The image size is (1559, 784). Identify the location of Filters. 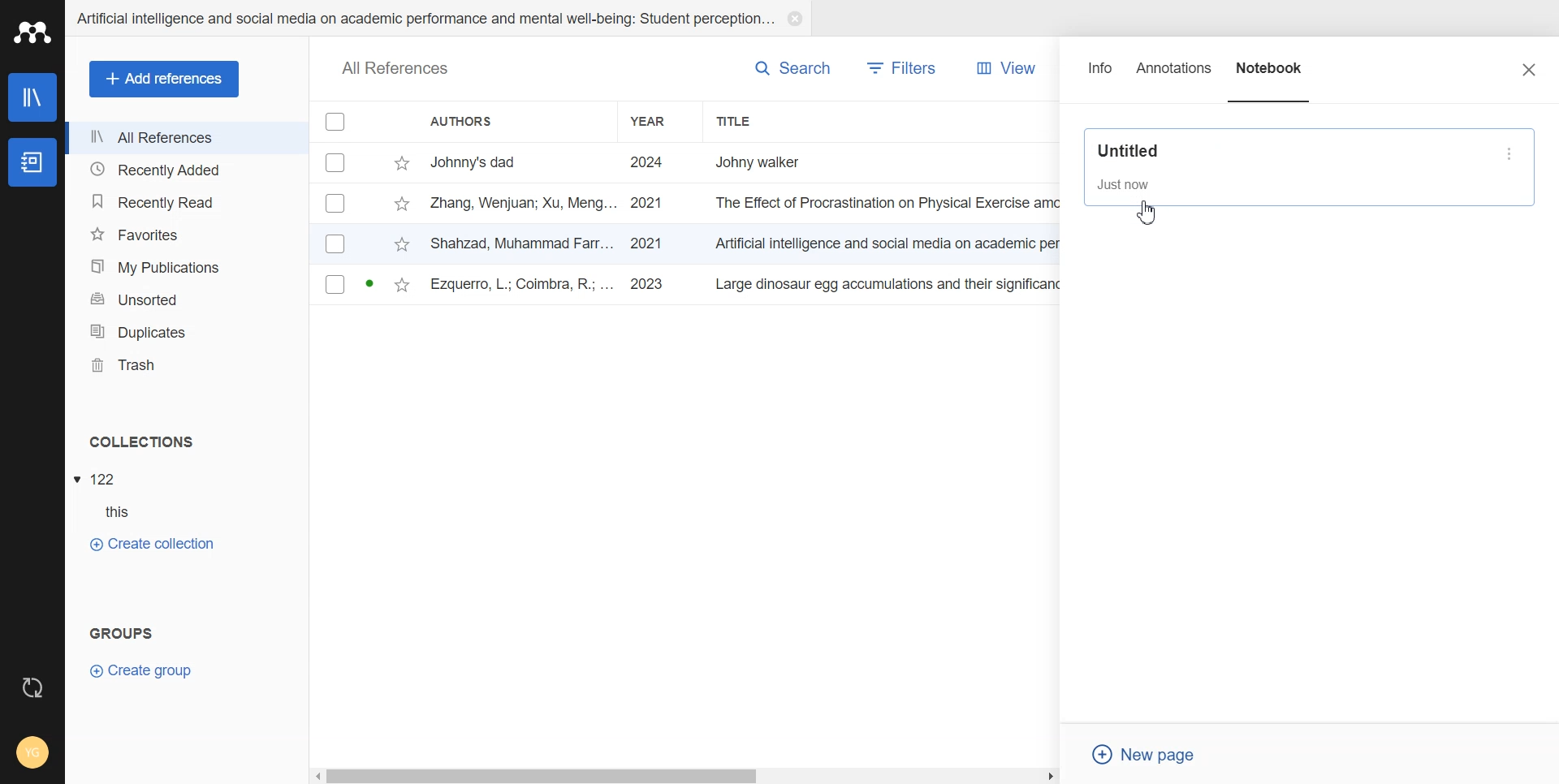
(903, 68).